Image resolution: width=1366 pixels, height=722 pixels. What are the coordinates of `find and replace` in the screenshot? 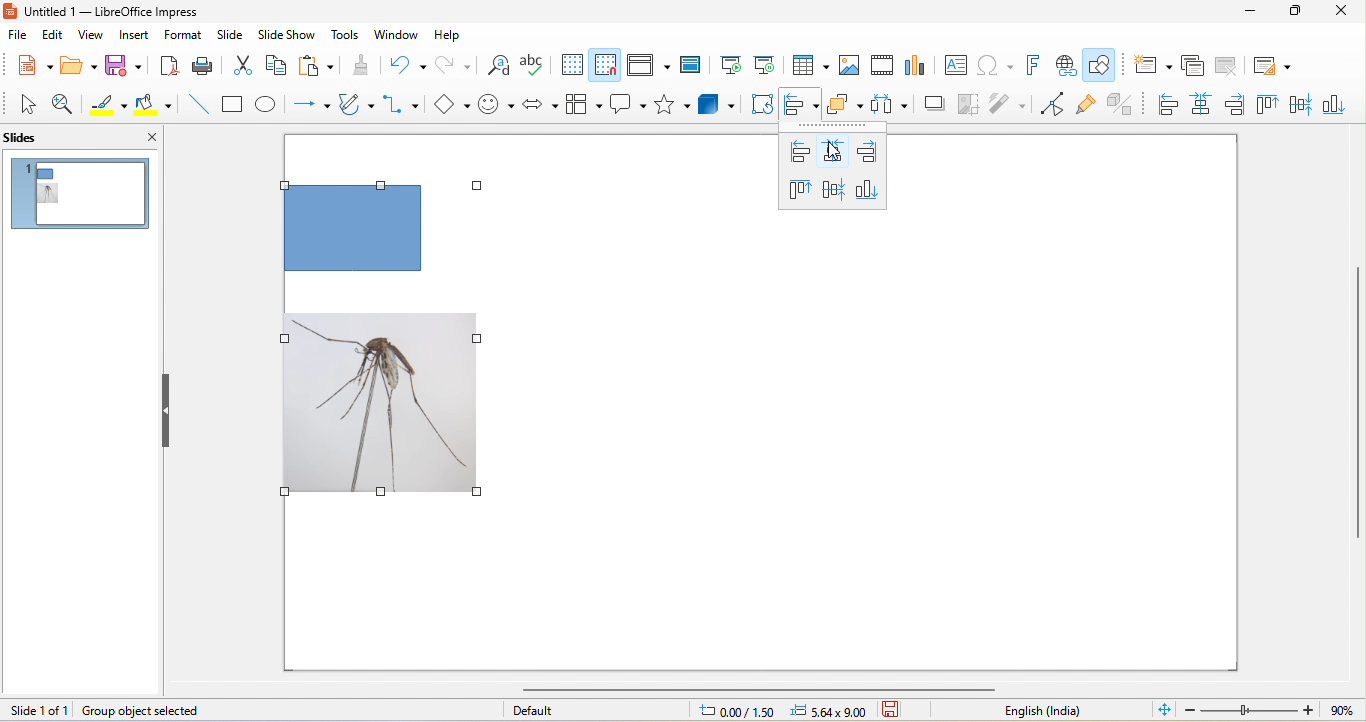 It's located at (500, 68).